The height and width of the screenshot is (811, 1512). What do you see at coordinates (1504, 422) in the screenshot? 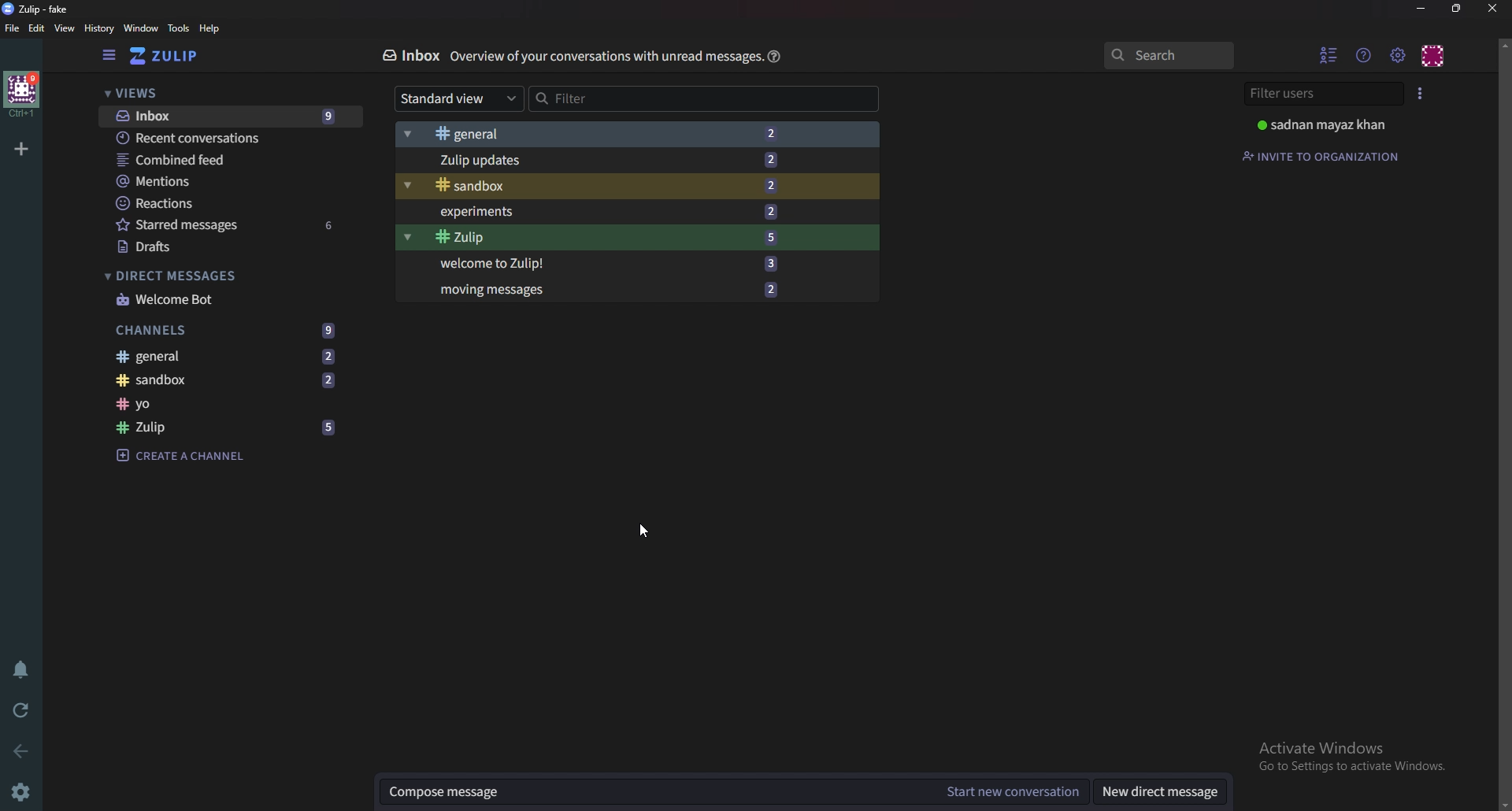
I see `Scroll bar` at bounding box center [1504, 422].